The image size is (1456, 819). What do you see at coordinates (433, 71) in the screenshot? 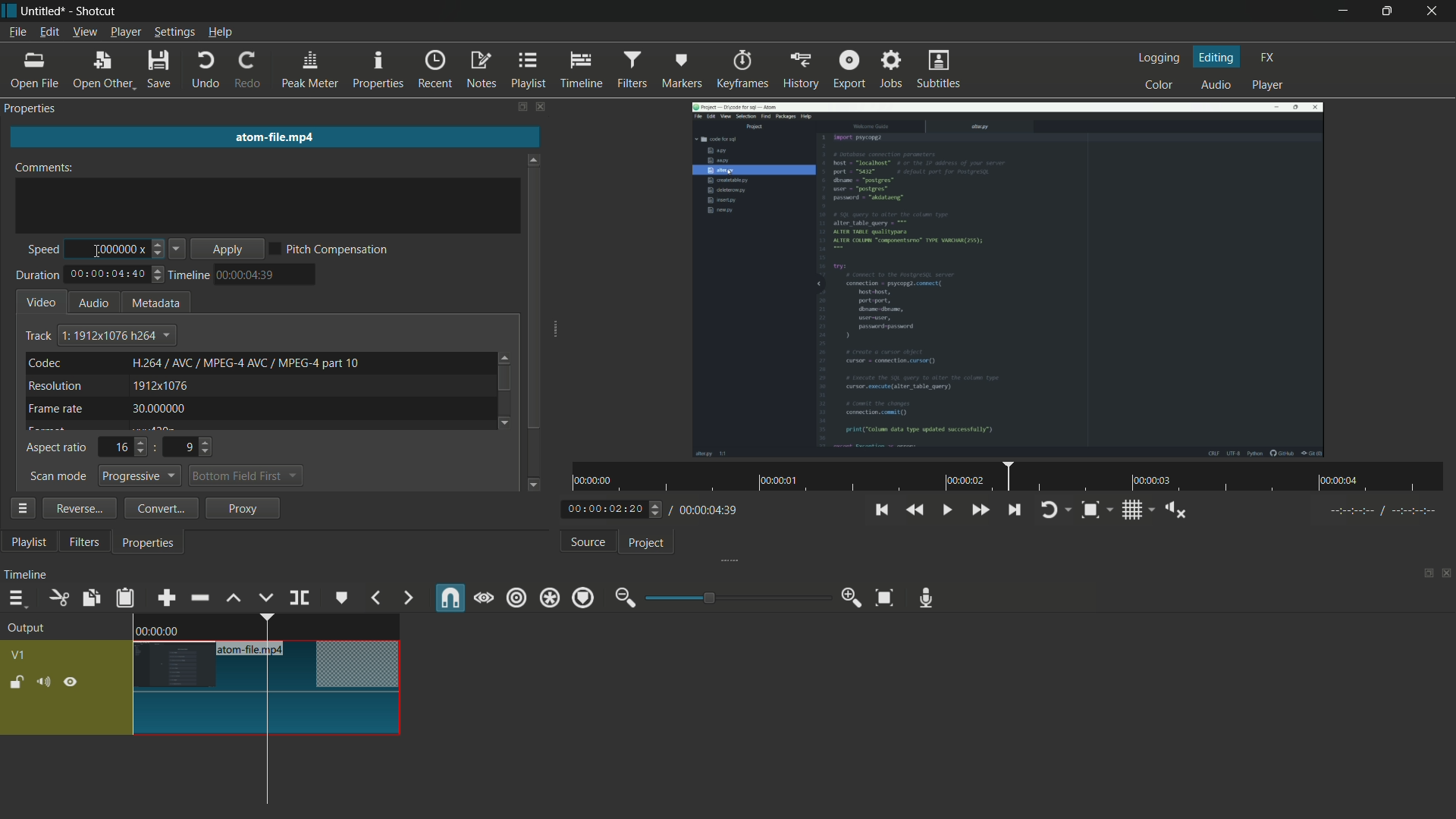
I see `recent` at bounding box center [433, 71].